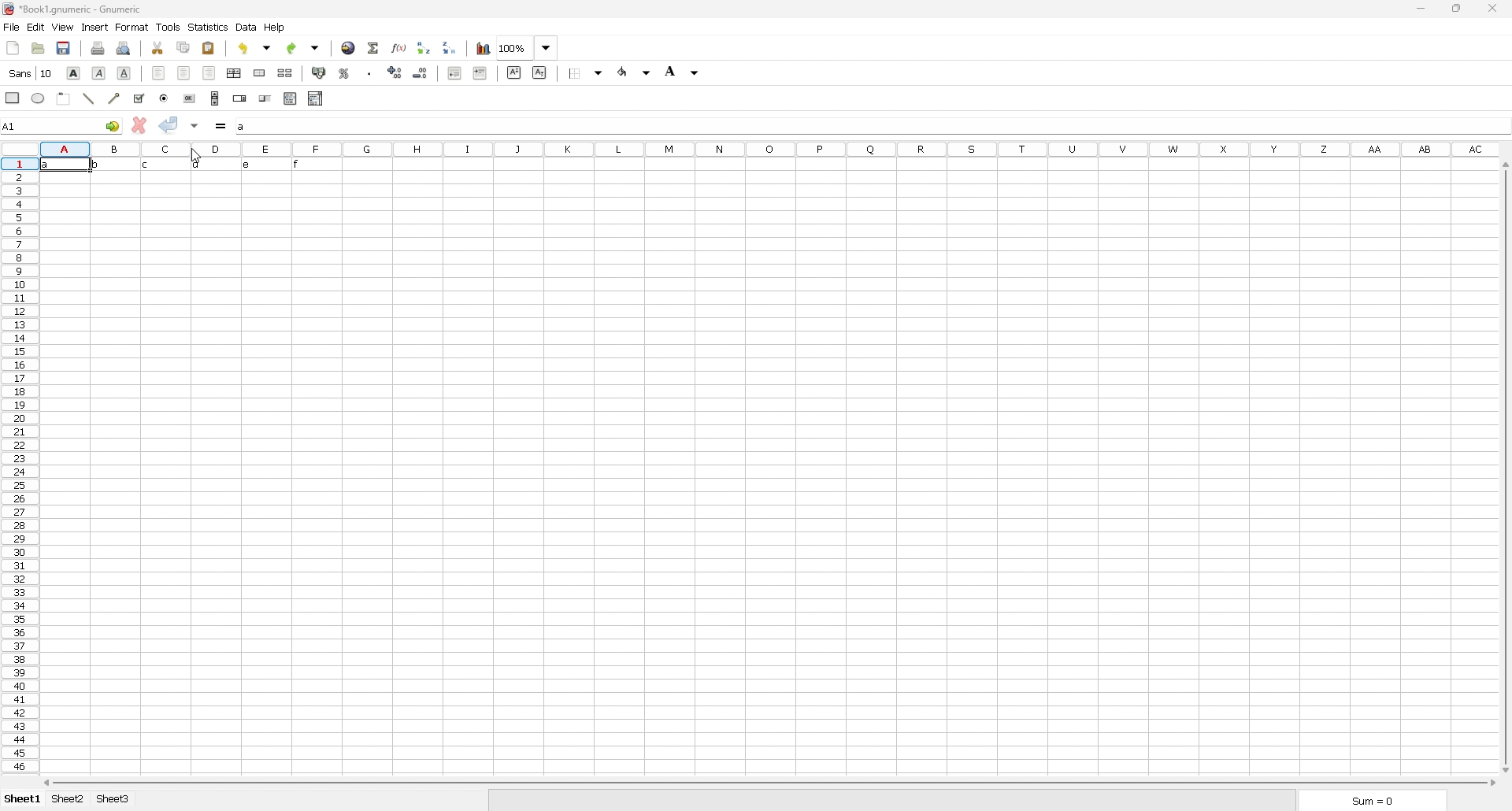  Describe the element at coordinates (17, 465) in the screenshot. I see `rows` at that location.